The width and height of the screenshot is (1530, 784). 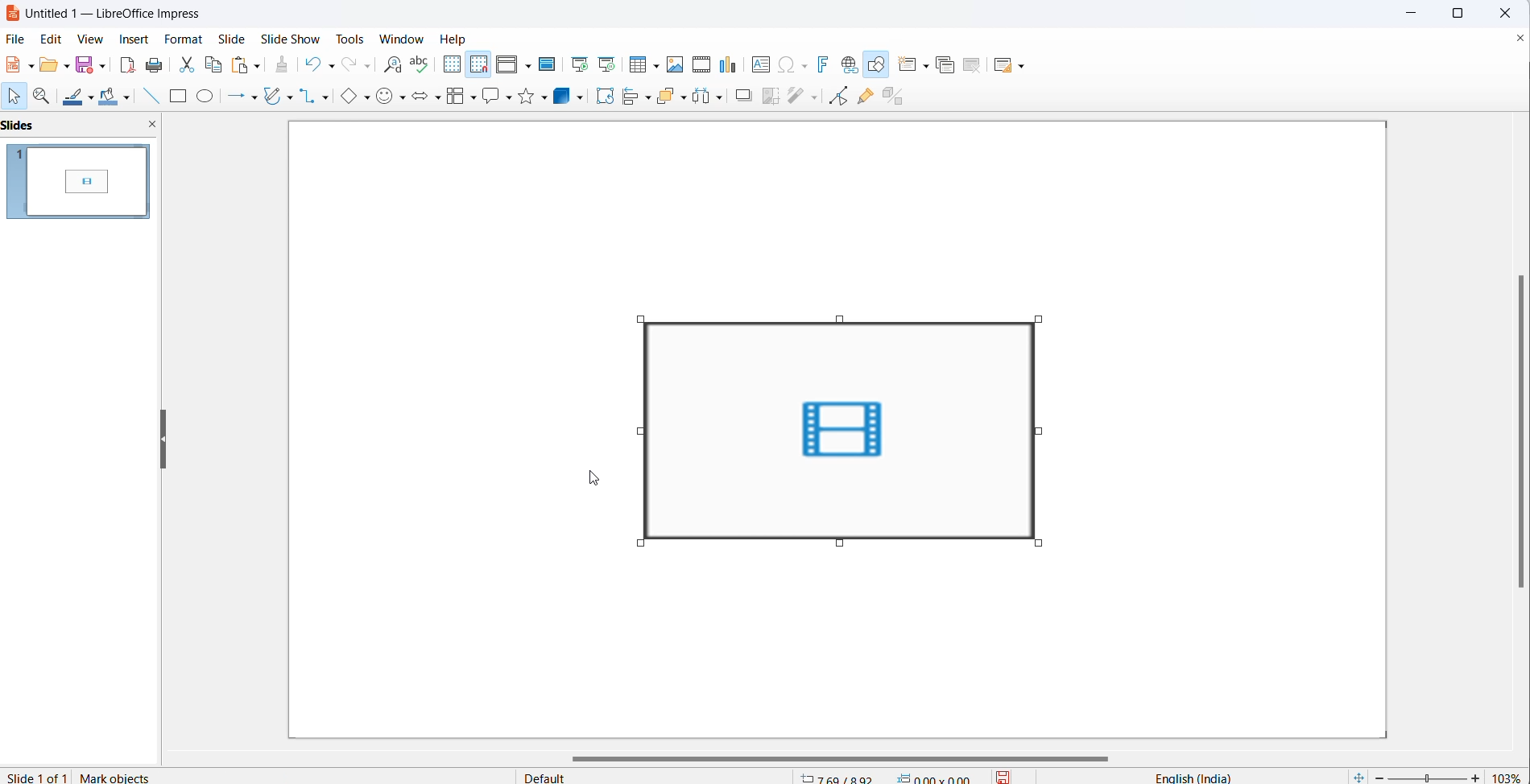 I want to click on basic shapes, so click(x=349, y=98).